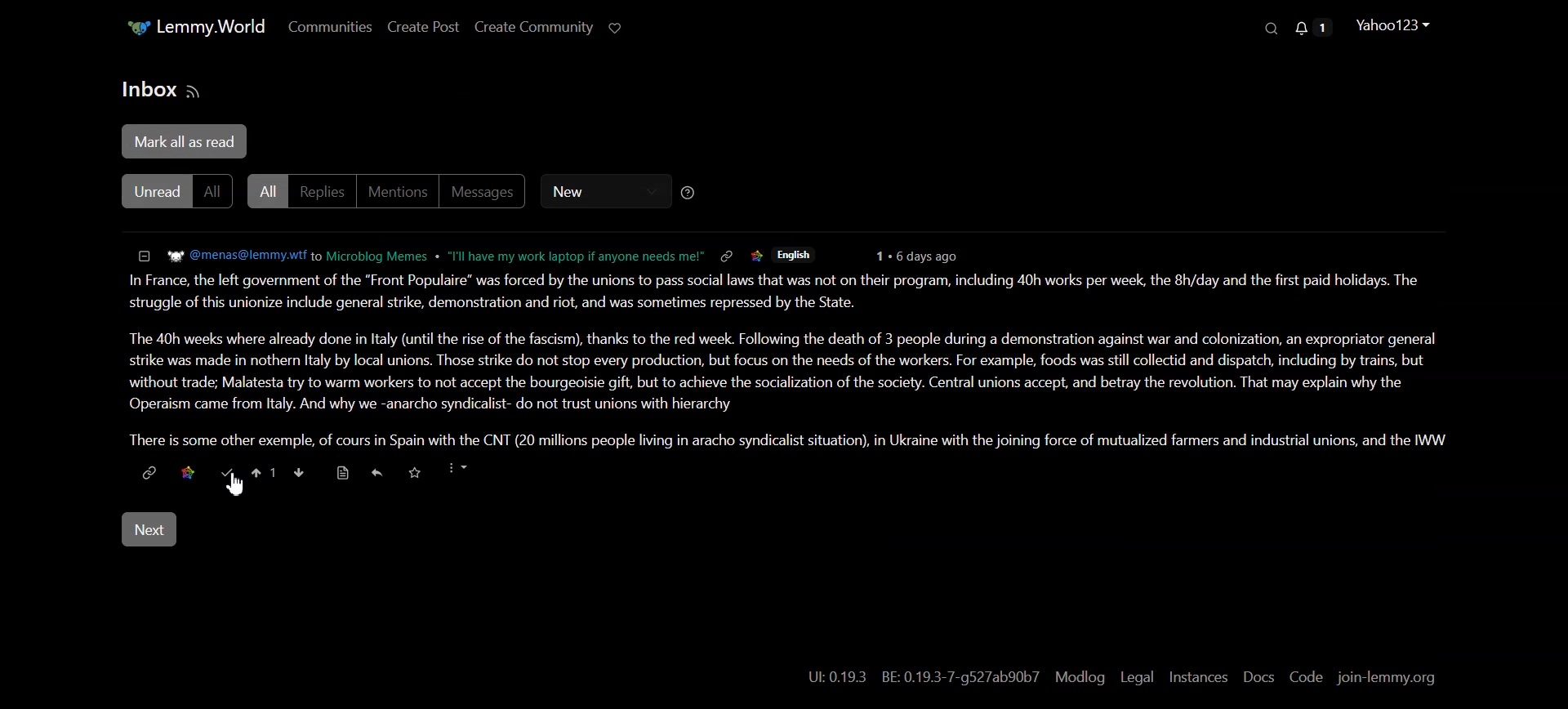 This screenshot has height=709, width=1568. I want to click on Hyperlink, so click(149, 471).